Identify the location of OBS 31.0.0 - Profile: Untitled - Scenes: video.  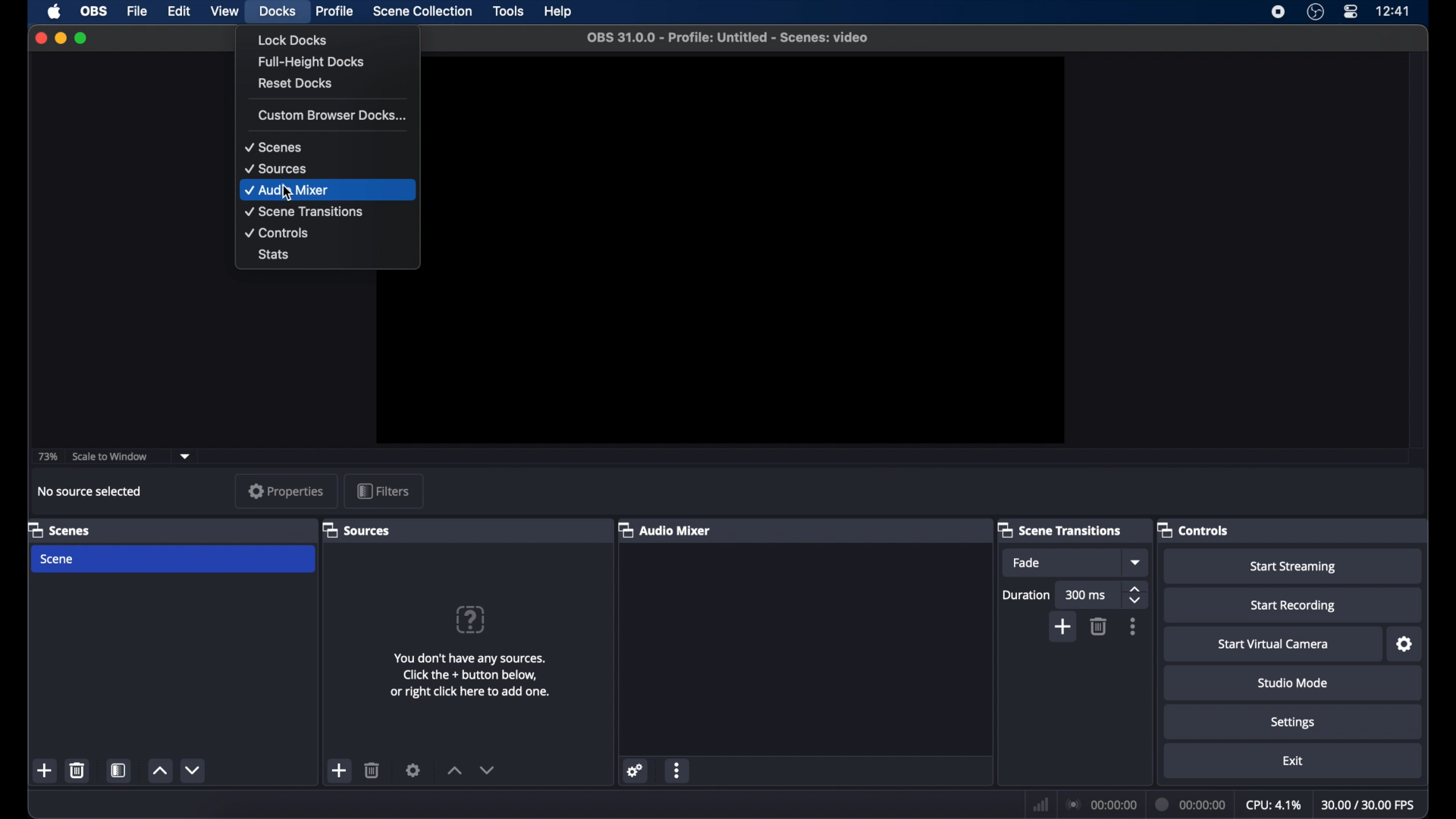
(727, 37).